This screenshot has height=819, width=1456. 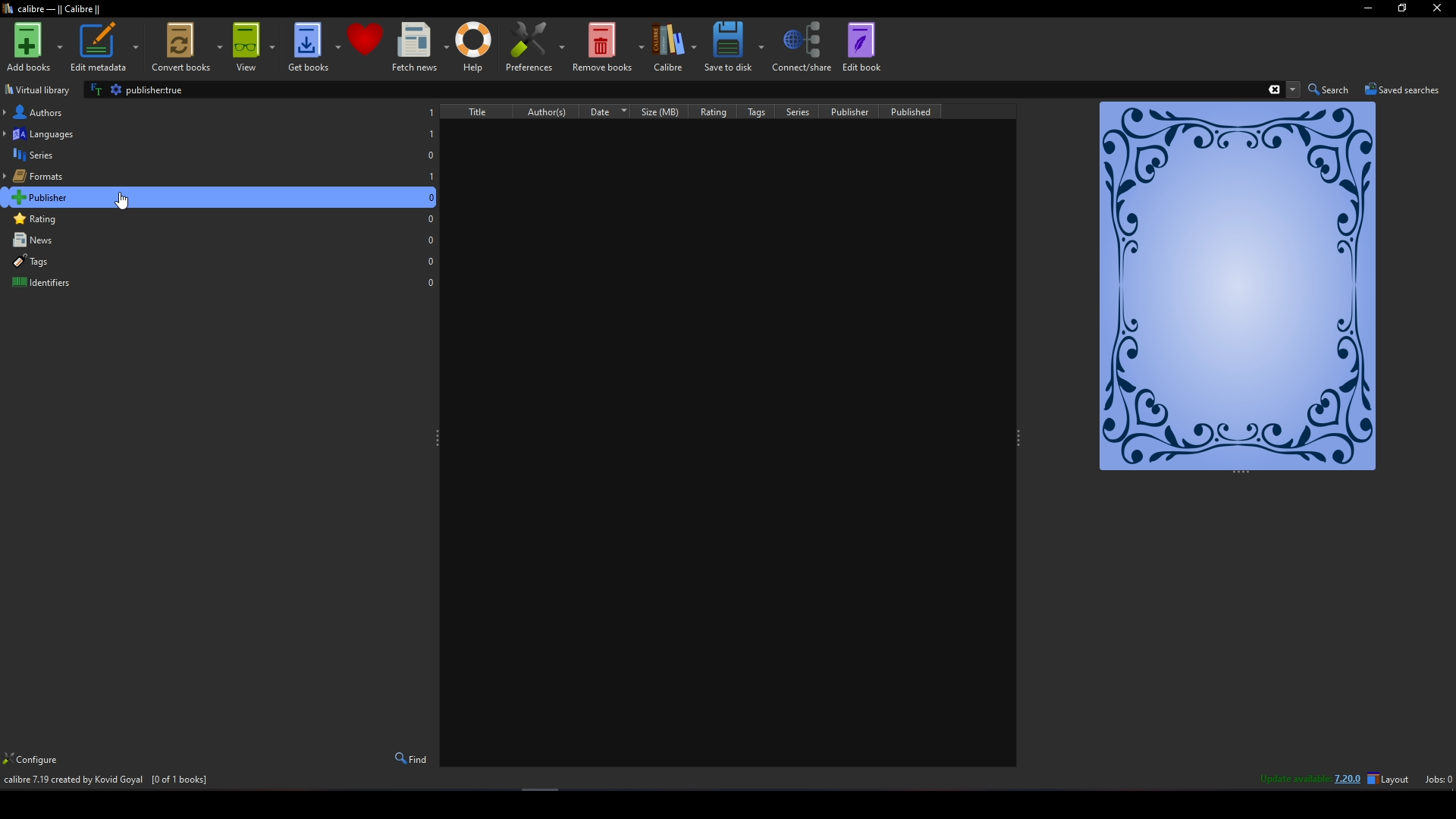 What do you see at coordinates (1241, 472) in the screenshot?
I see `Book cover slider` at bounding box center [1241, 472].